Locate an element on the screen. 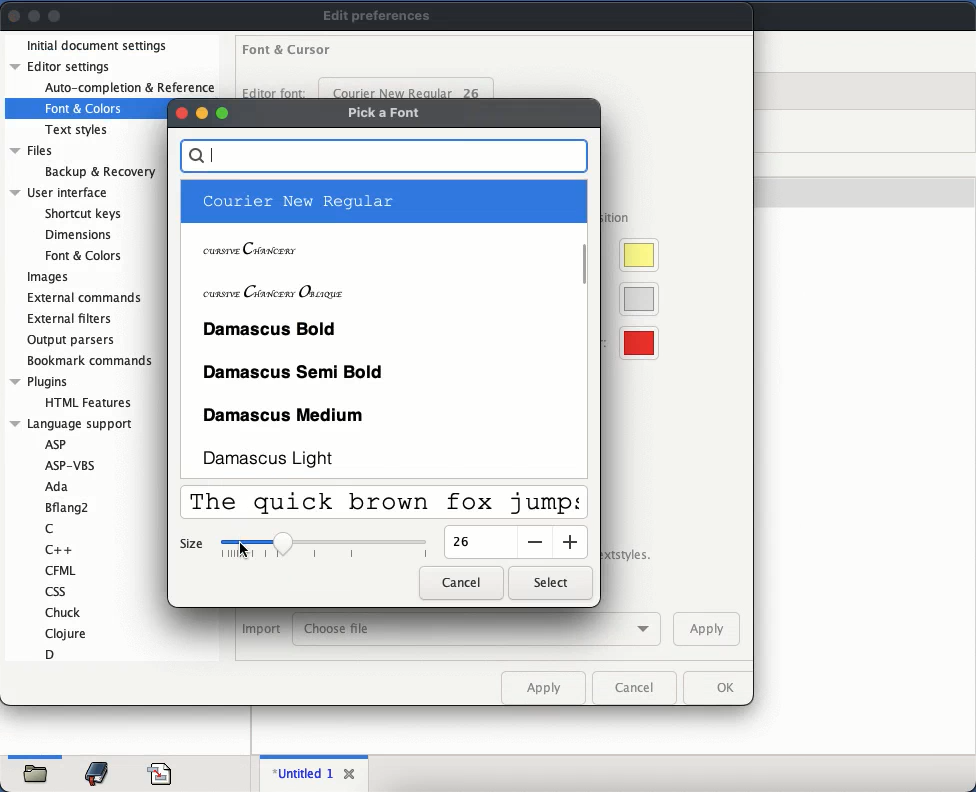 This screenshot has height=792, width=976. apply is located at coordinates (545, 687).